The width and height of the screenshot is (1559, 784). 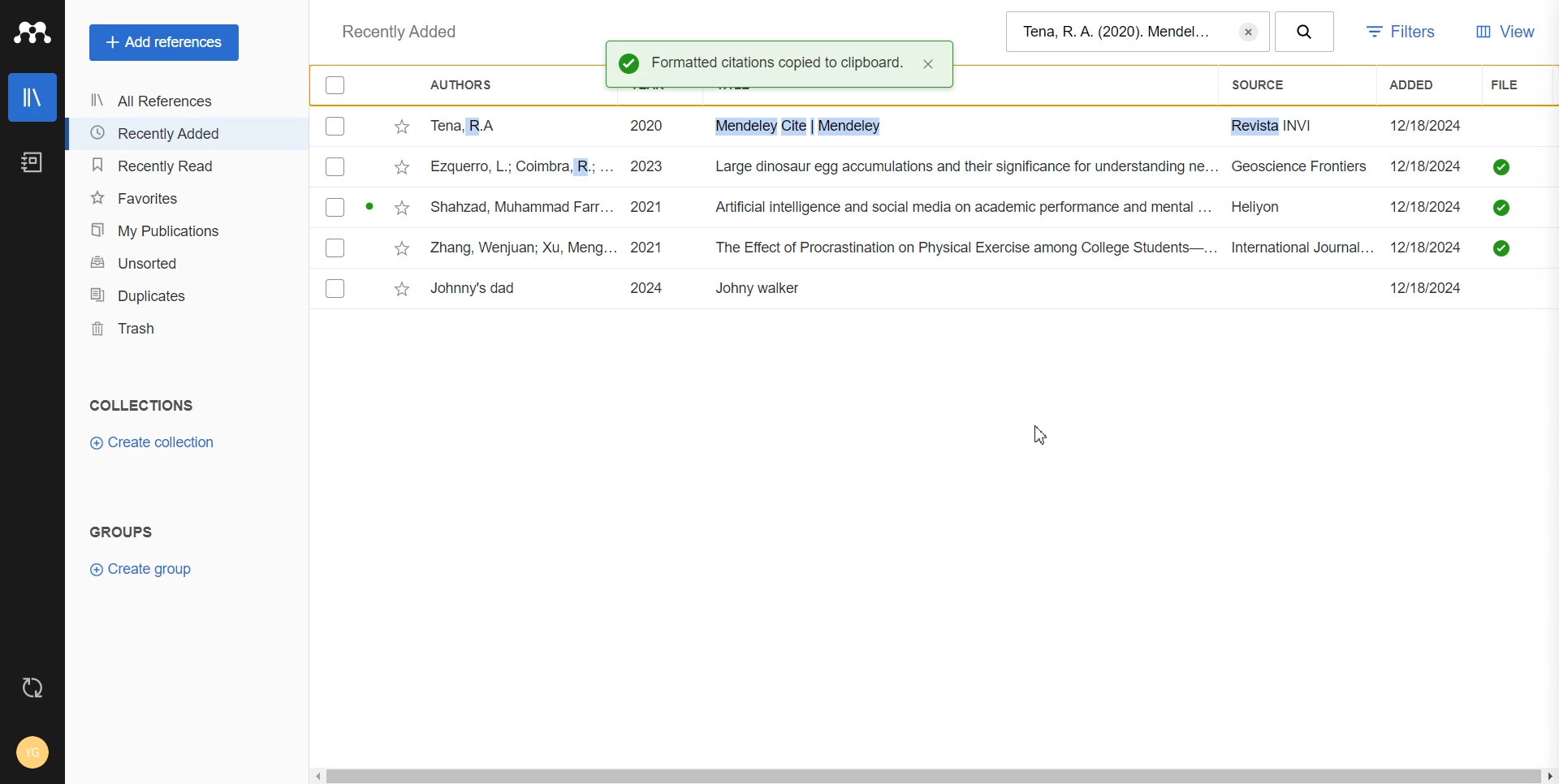 What do you see at coordinates (188, 263) in the screenshot?
I see `Unsorted` at bounding box center [188, 263].